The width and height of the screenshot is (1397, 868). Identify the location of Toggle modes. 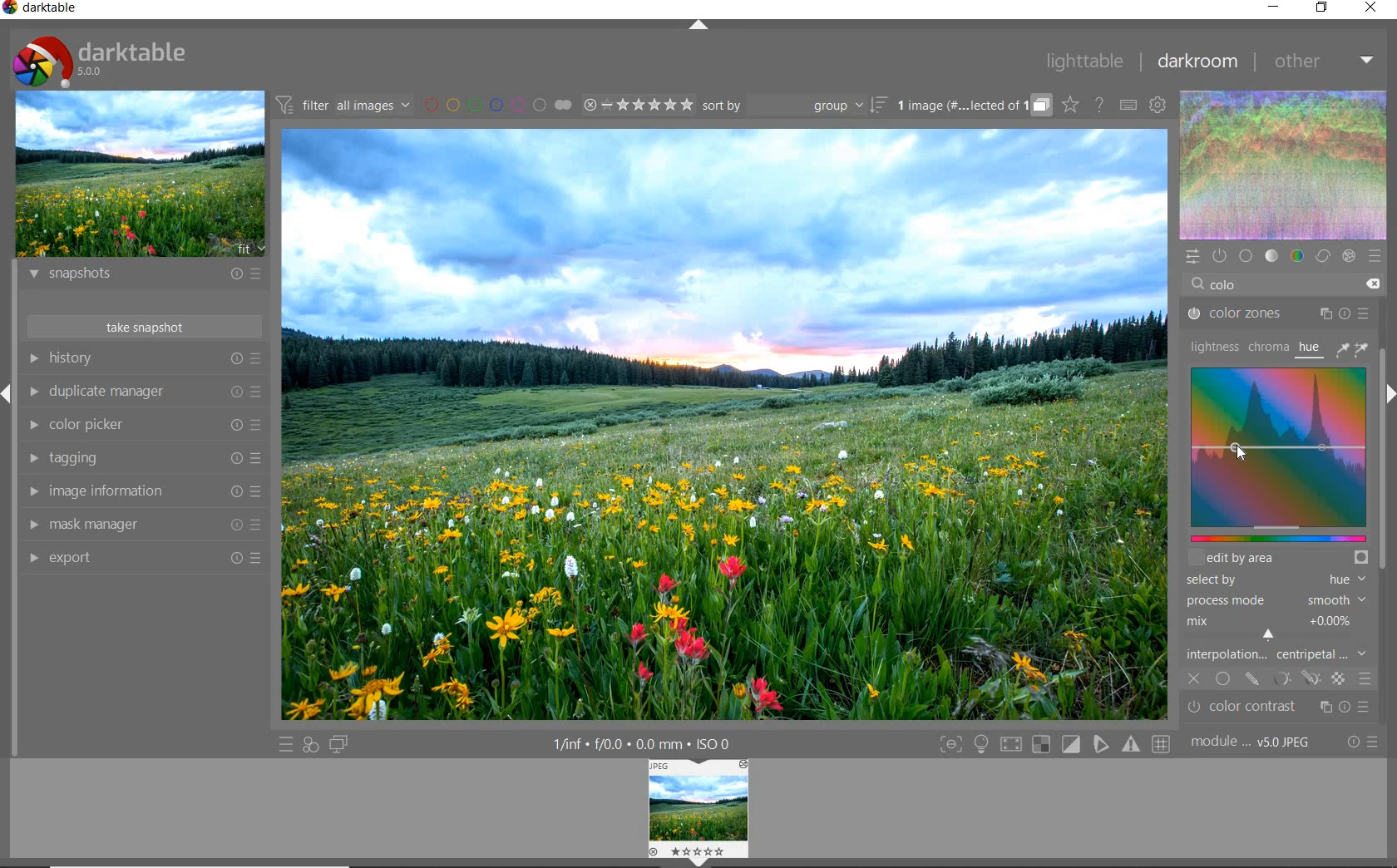
(1054, 745).